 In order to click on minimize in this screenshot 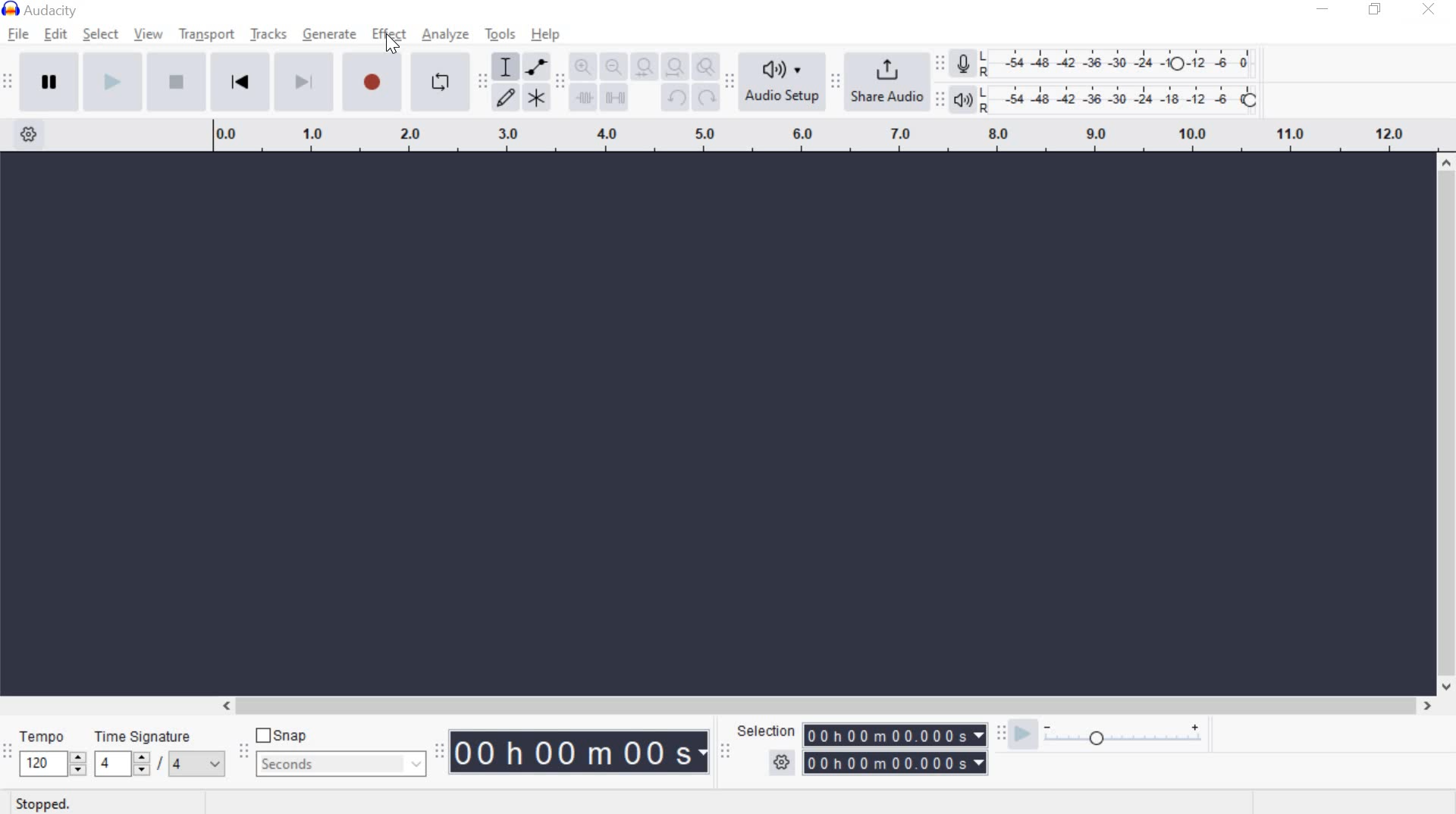, I will do `click(1320, 8)`.